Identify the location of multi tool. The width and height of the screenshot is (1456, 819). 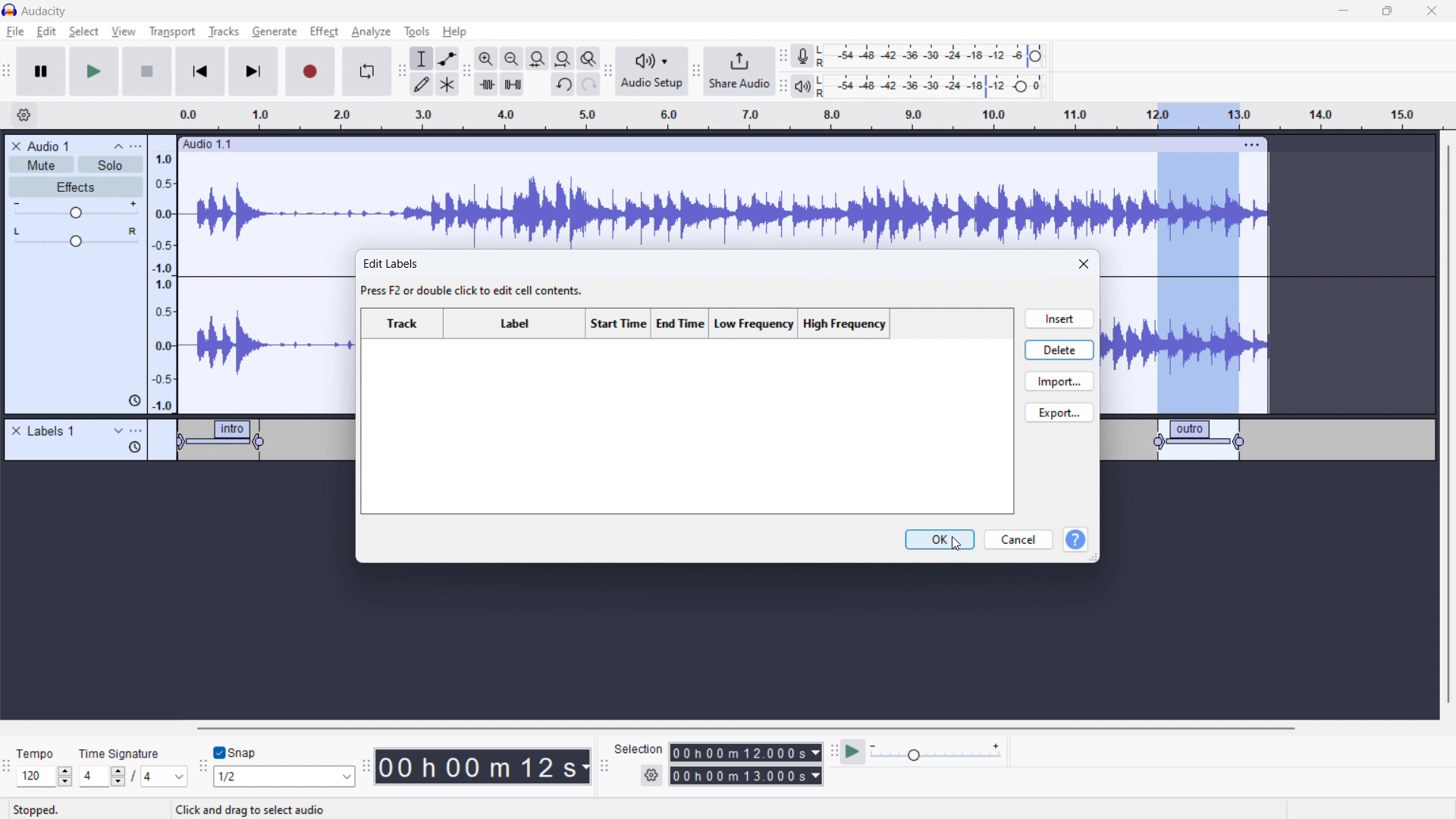
(448, 84).